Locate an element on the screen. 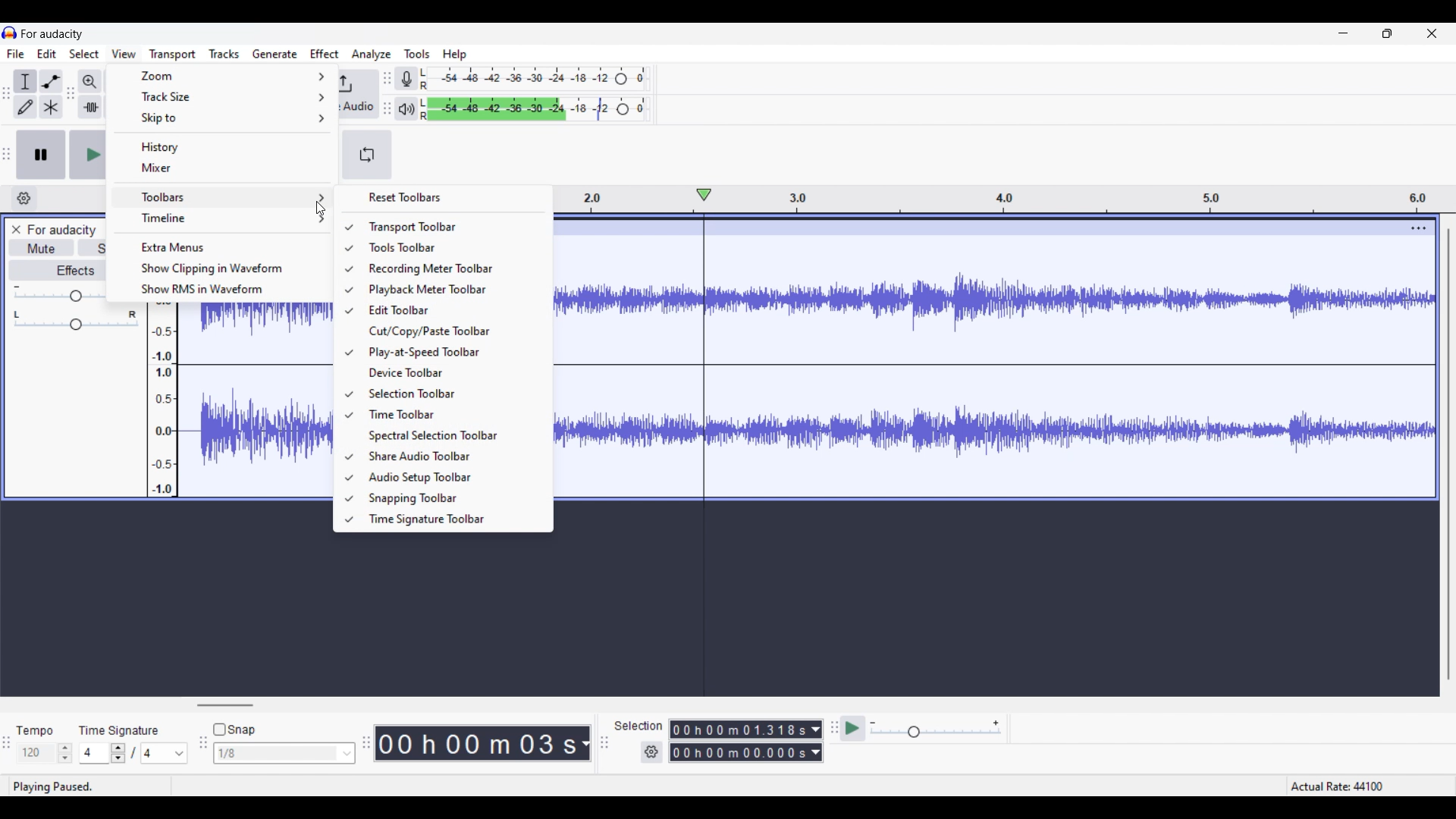  Spectral selection toolbar is located at coordinates (450, 436).